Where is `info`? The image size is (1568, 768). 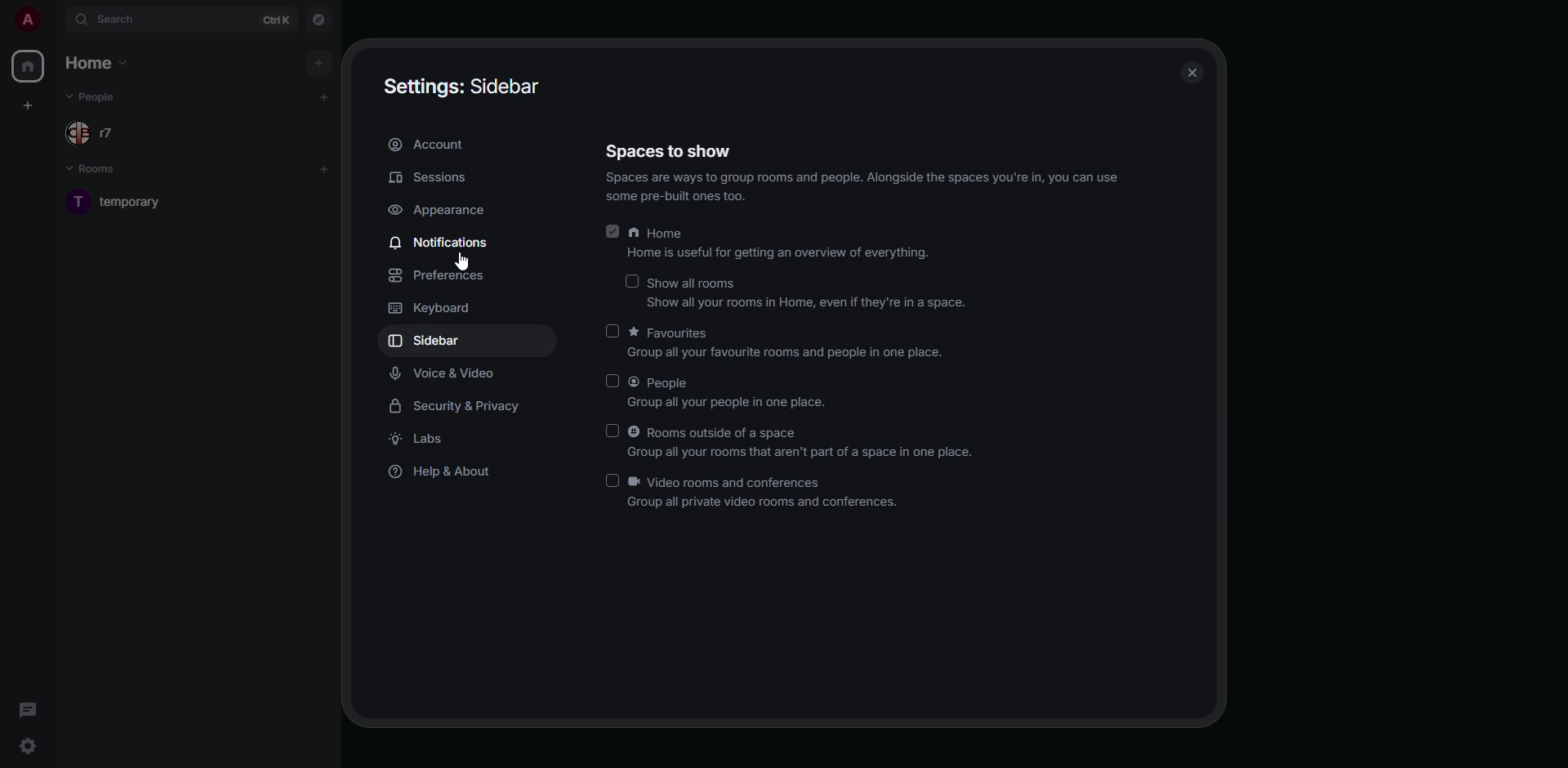 info is located at coordinates (868, 188).